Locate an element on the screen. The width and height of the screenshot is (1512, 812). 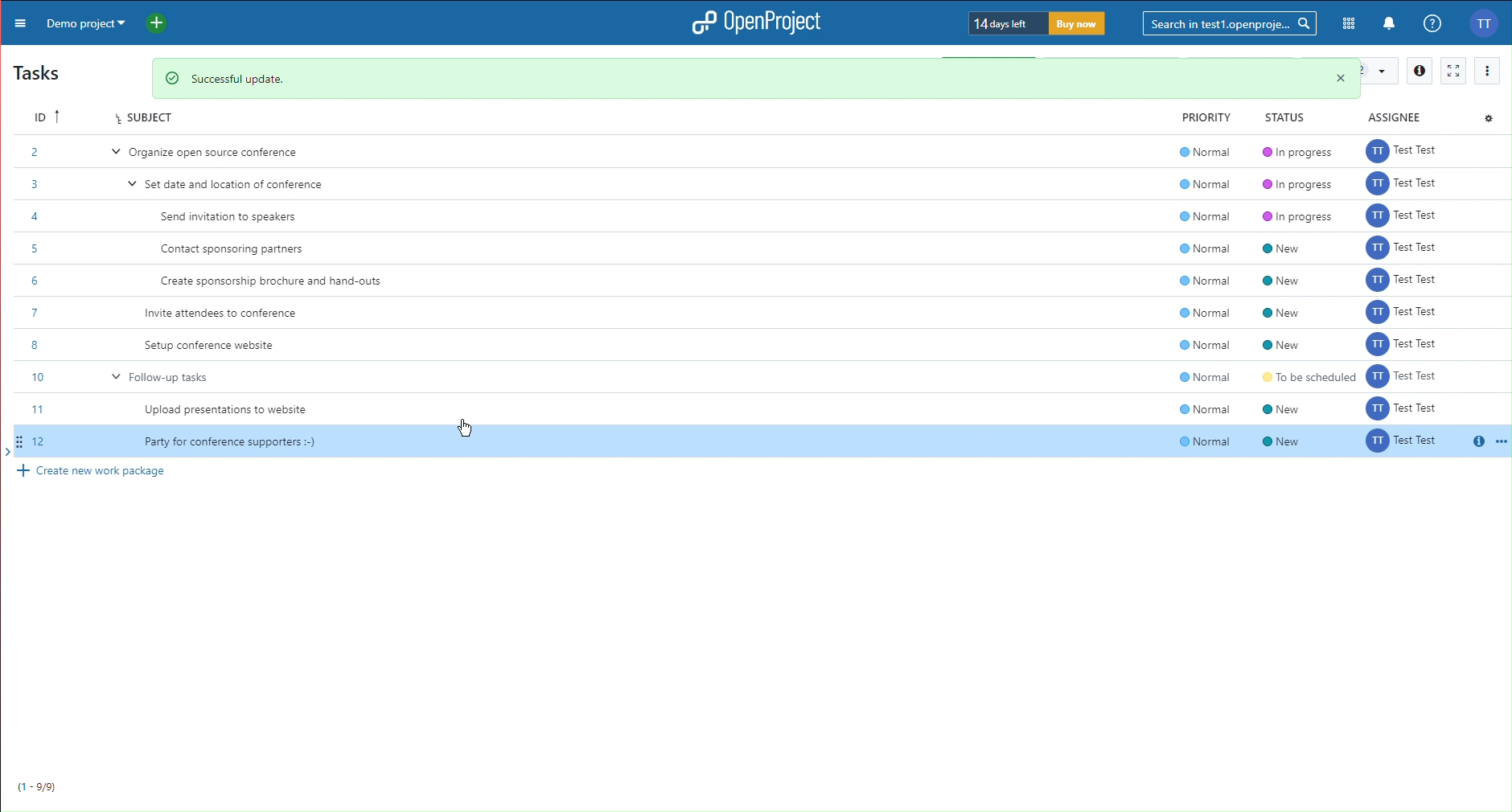
open project is located at coordinates (761, 23).